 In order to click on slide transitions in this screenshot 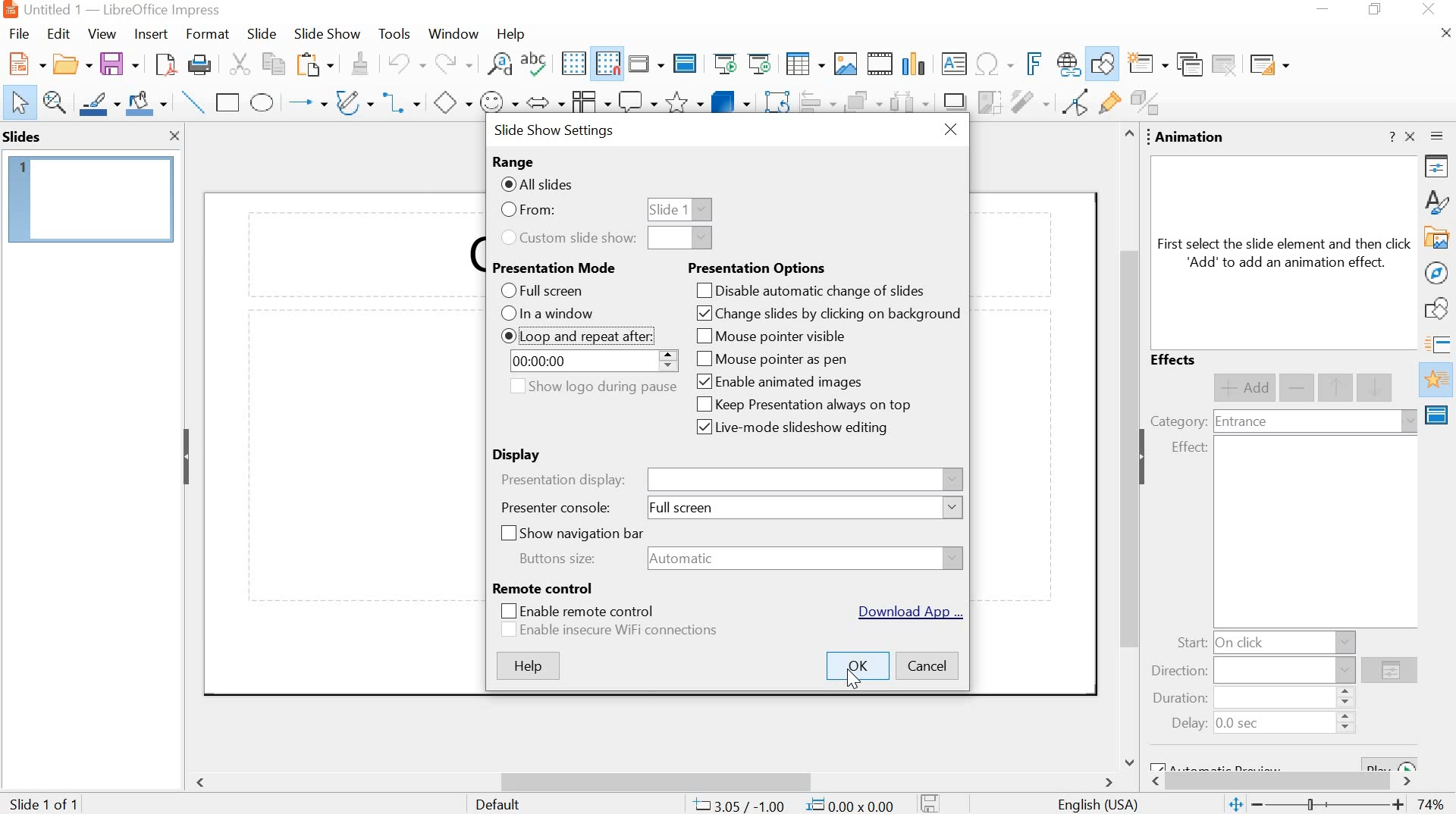, I will do `click(1439, 345)`.